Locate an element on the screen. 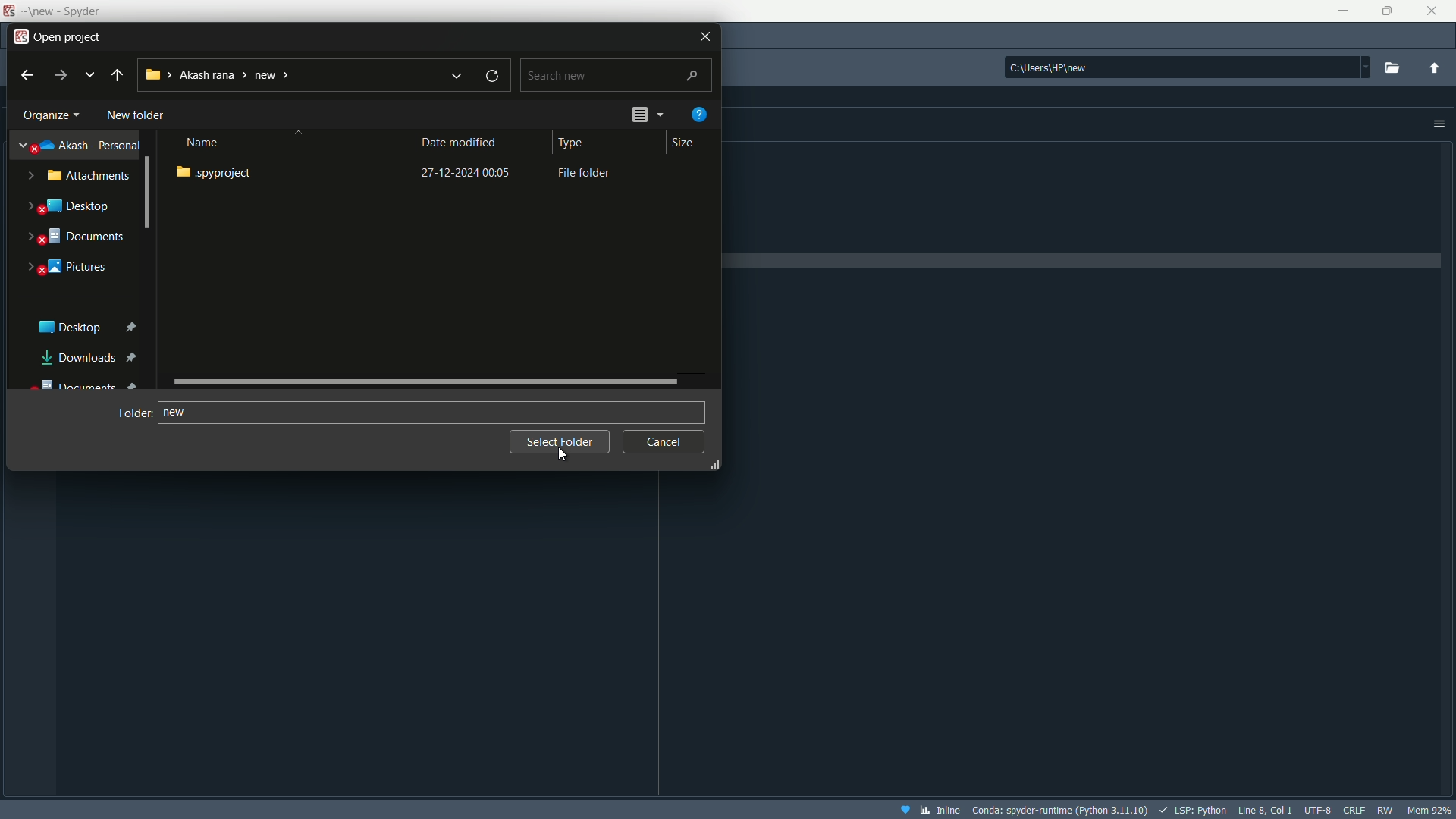 Image resolution: width=1456 pixels, height=819 pixels. folder is located at coordinates (400, 172).